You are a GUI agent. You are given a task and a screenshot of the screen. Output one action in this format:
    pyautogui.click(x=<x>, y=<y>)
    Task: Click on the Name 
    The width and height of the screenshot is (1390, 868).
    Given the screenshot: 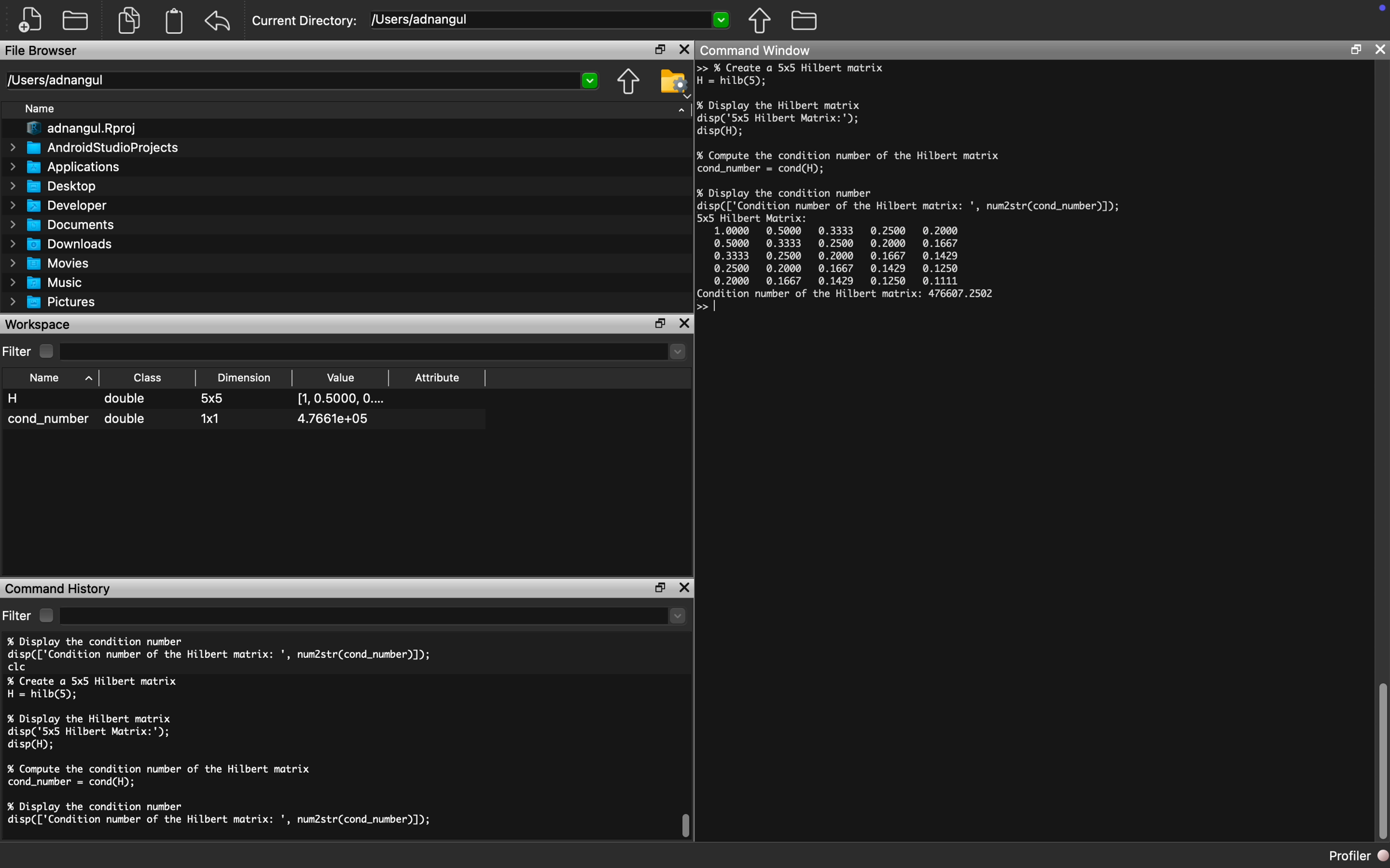 What is the action you would take?
    pyautogui.click(x=60, y=378)
    